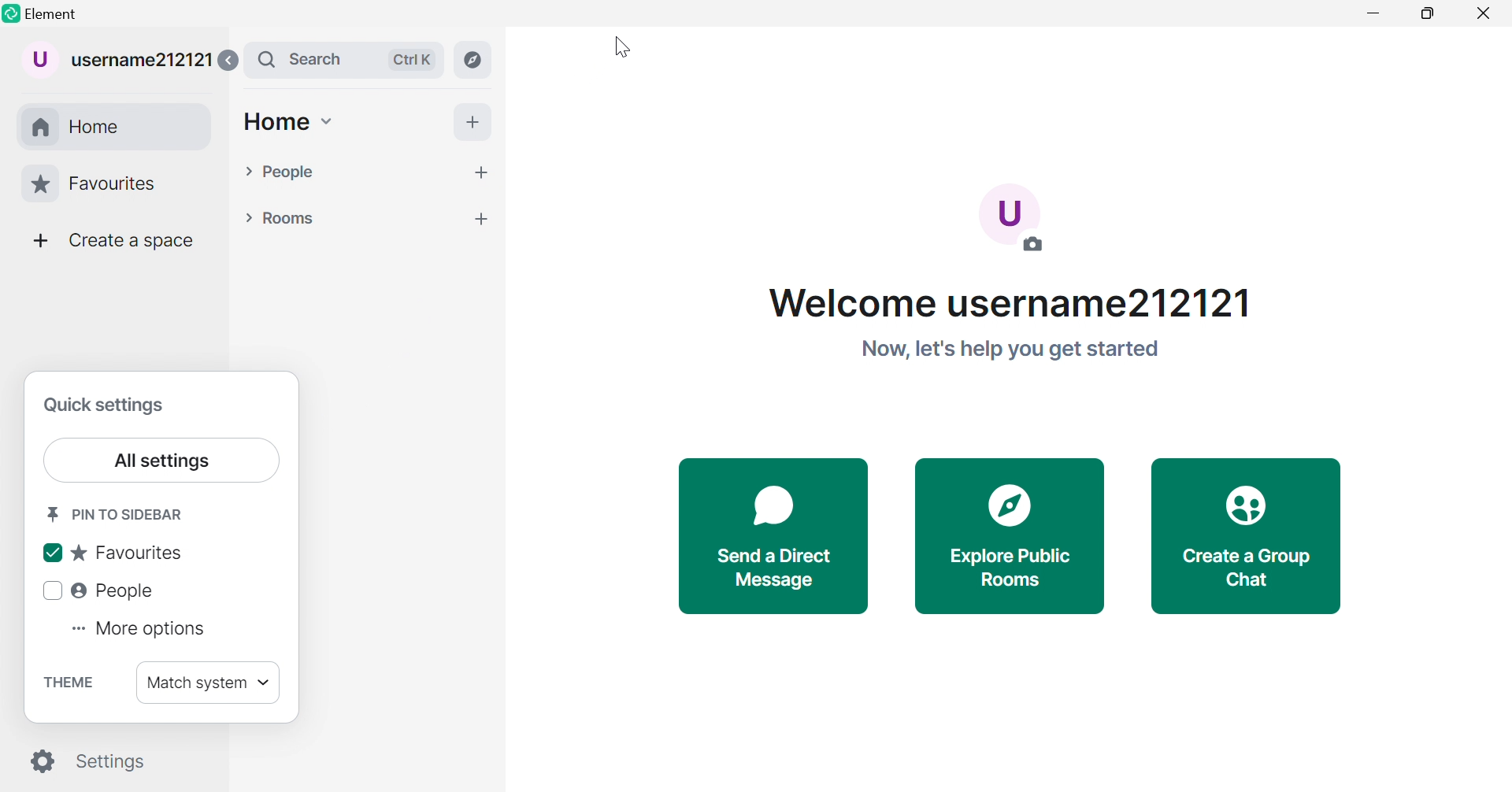  I want to click on More, so click(472, 121).